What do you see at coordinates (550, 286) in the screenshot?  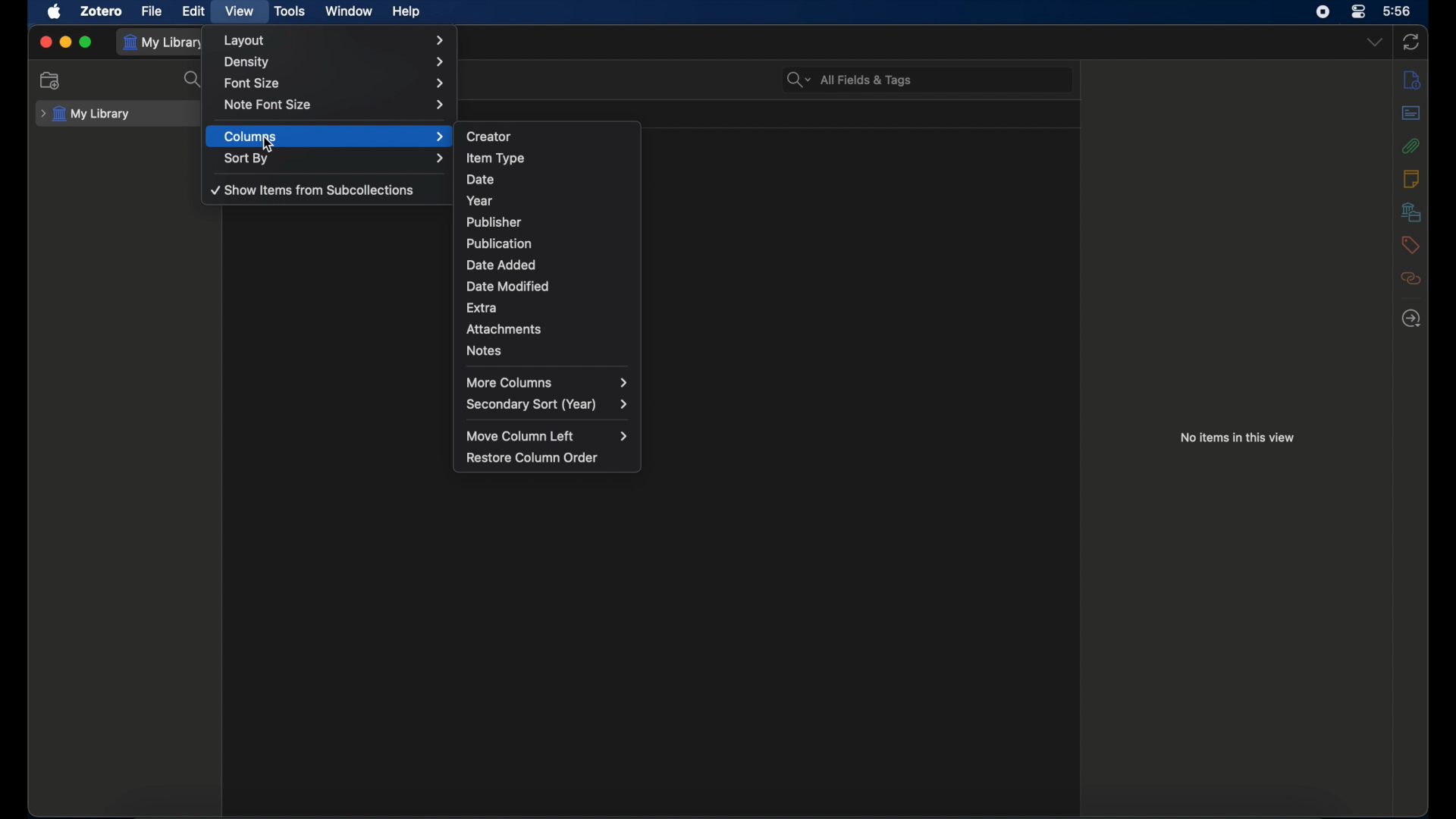 I see `date modified` at bounding box center [550, 286].